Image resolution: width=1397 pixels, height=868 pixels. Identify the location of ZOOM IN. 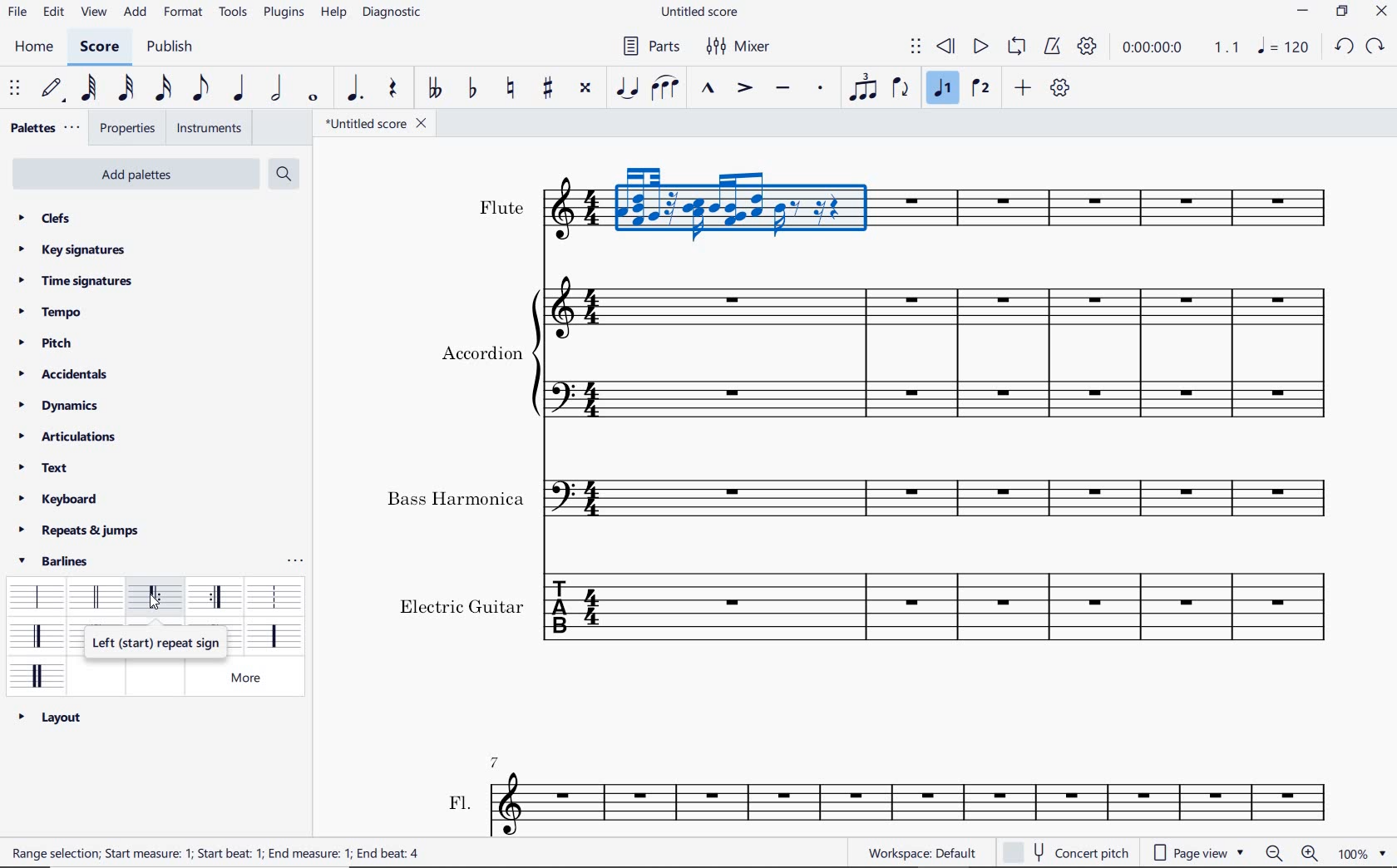
(1311, 853).